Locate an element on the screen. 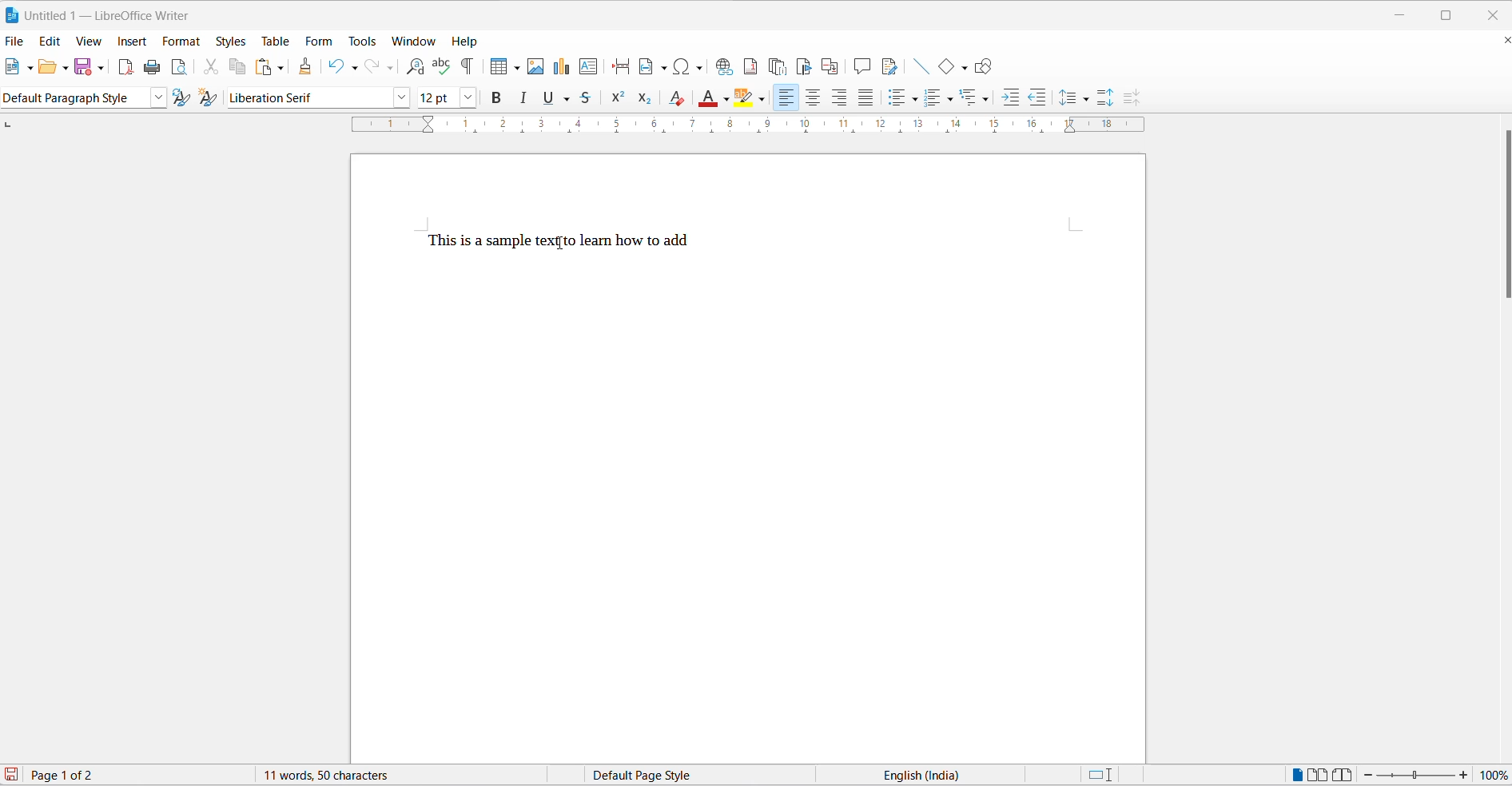 This screenshot has width=1512, height=786. bold is located at coordinates (496, 98).